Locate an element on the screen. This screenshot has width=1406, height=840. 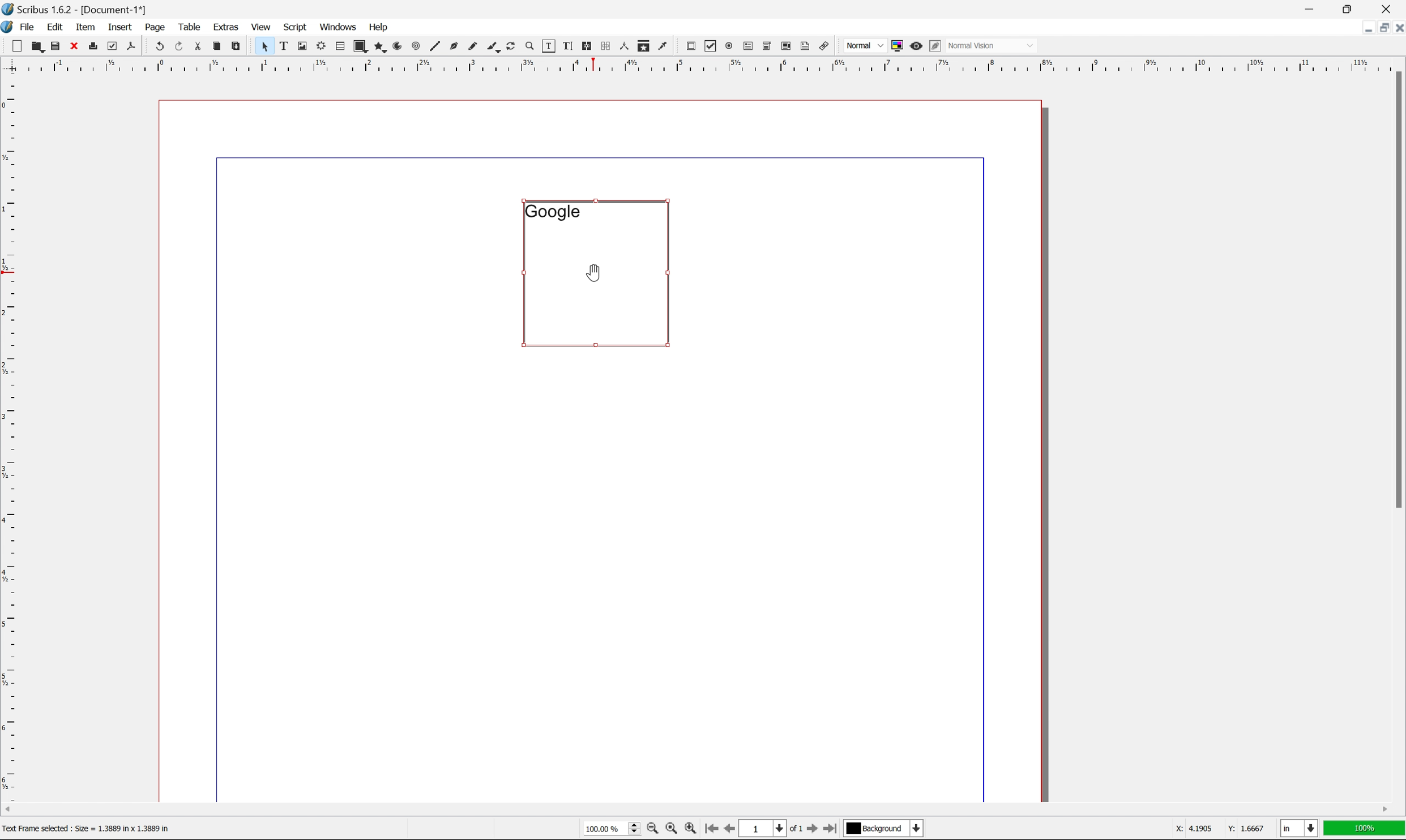
zoom to 100% is located at coordinates (670, 830).